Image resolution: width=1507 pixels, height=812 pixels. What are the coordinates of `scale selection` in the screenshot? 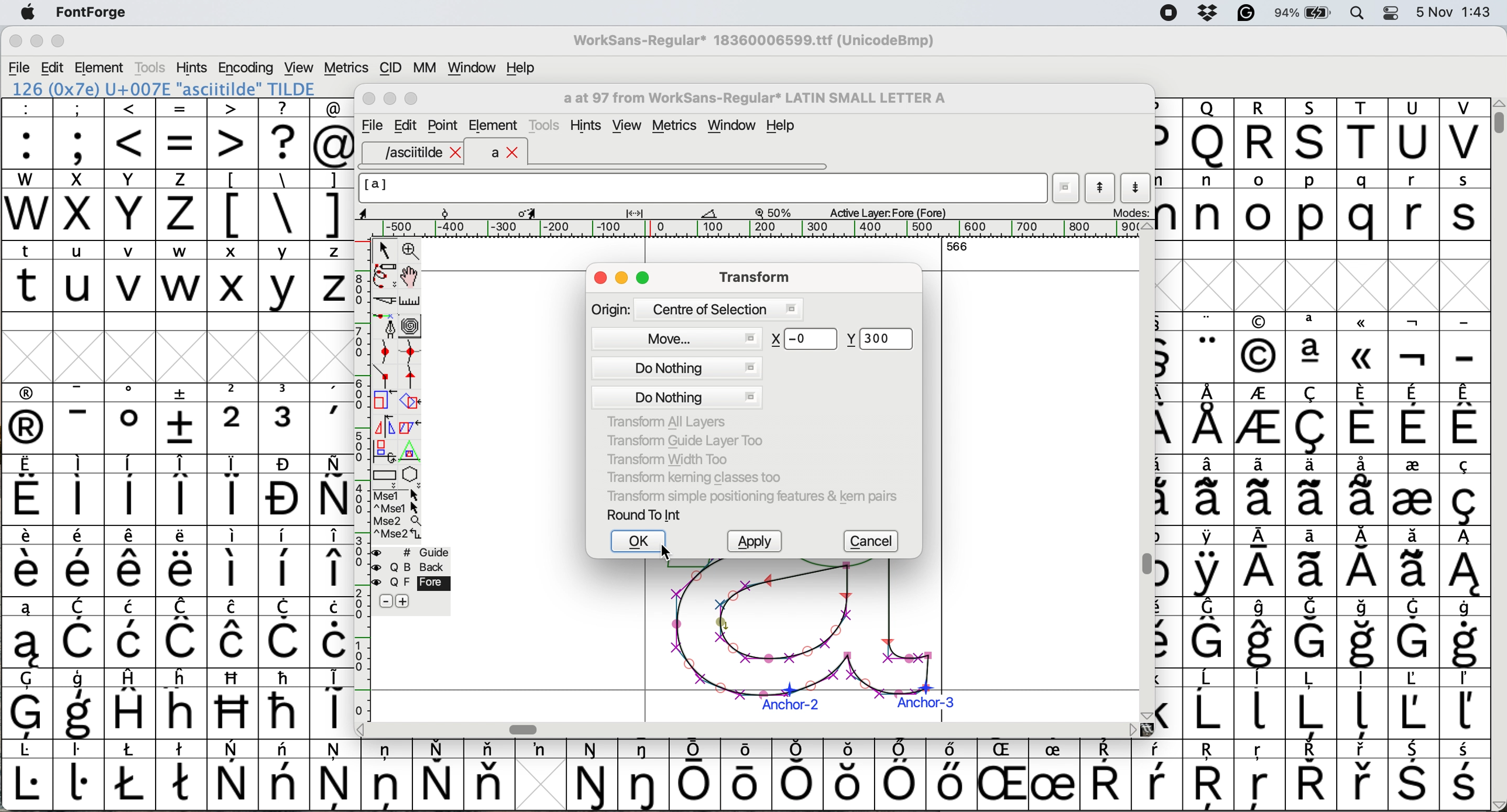 It's located at (386, 400).